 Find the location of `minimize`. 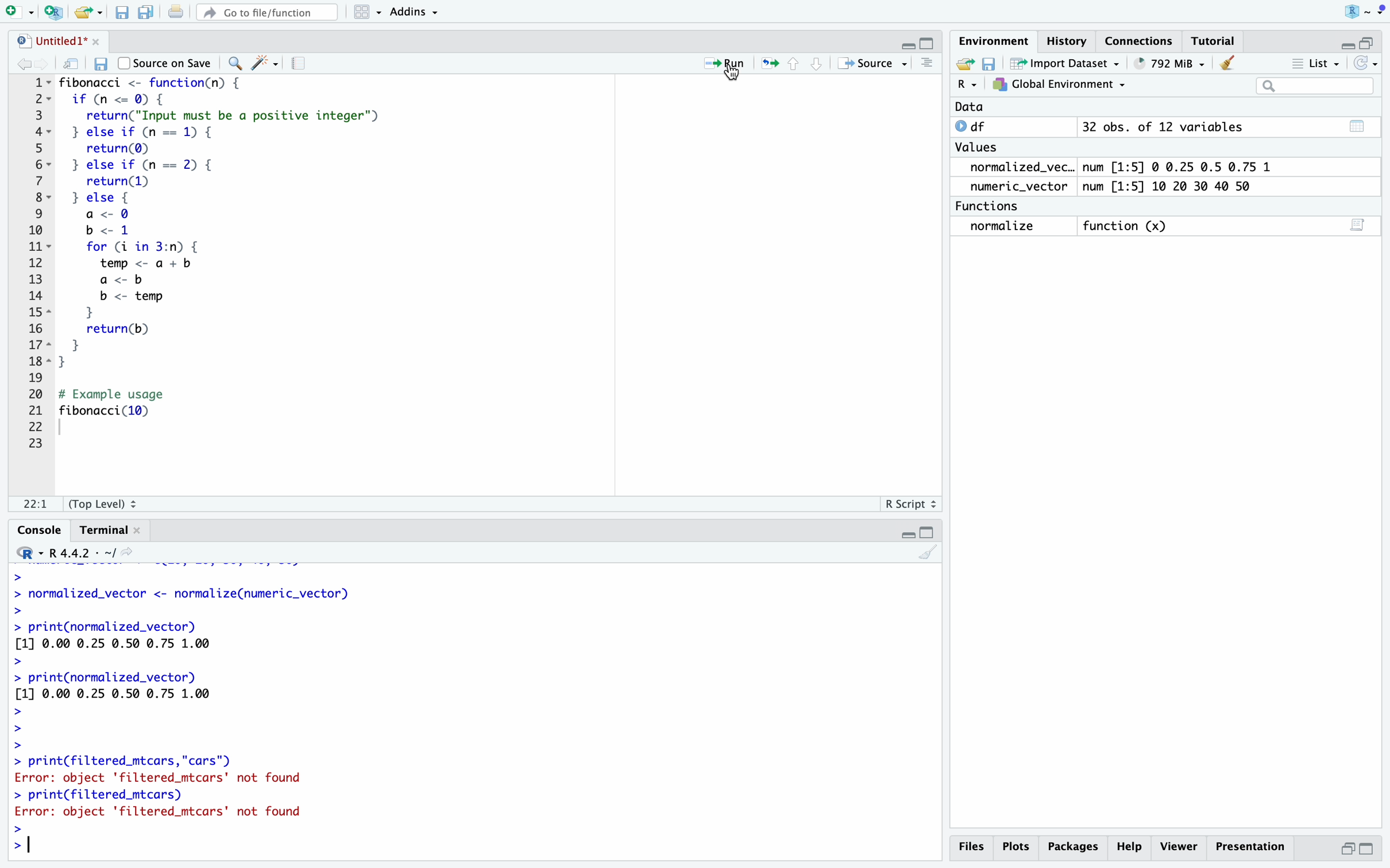

minimize is located at coordinates (1344, 41).